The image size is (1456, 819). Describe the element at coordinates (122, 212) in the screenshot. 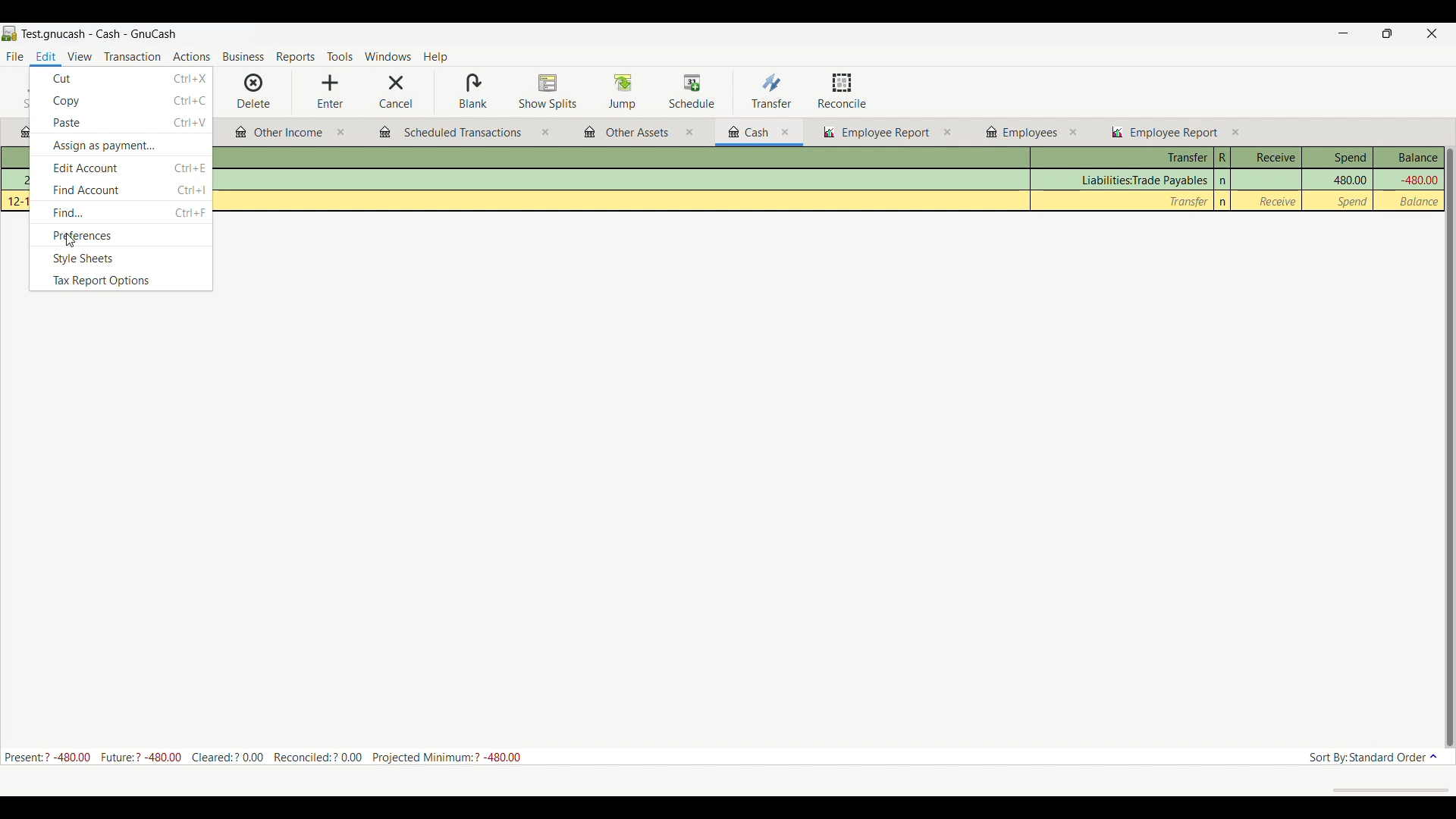

I see `Find` at that location.